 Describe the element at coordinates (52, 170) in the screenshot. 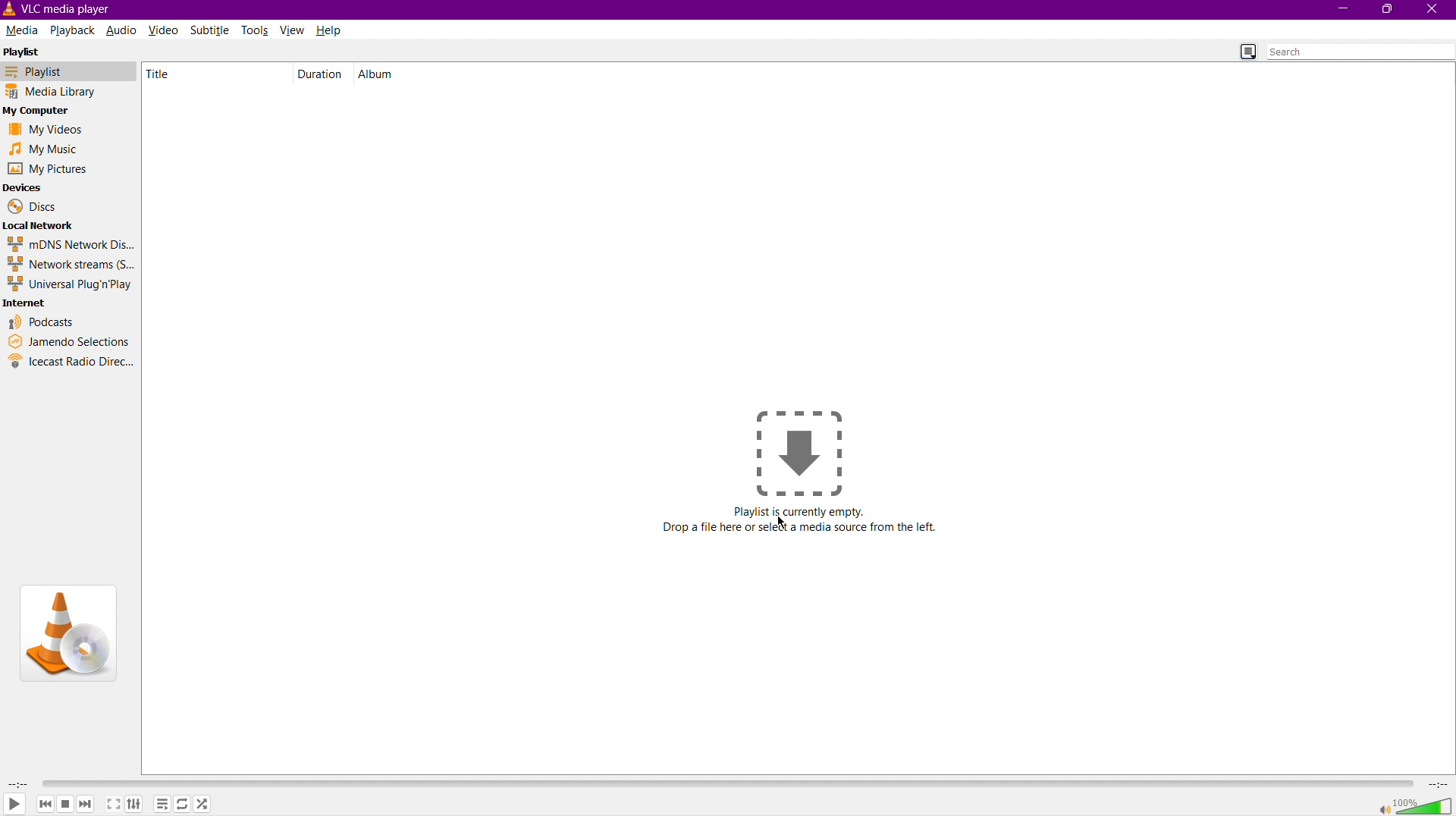

I see `My Pictures` at that location.